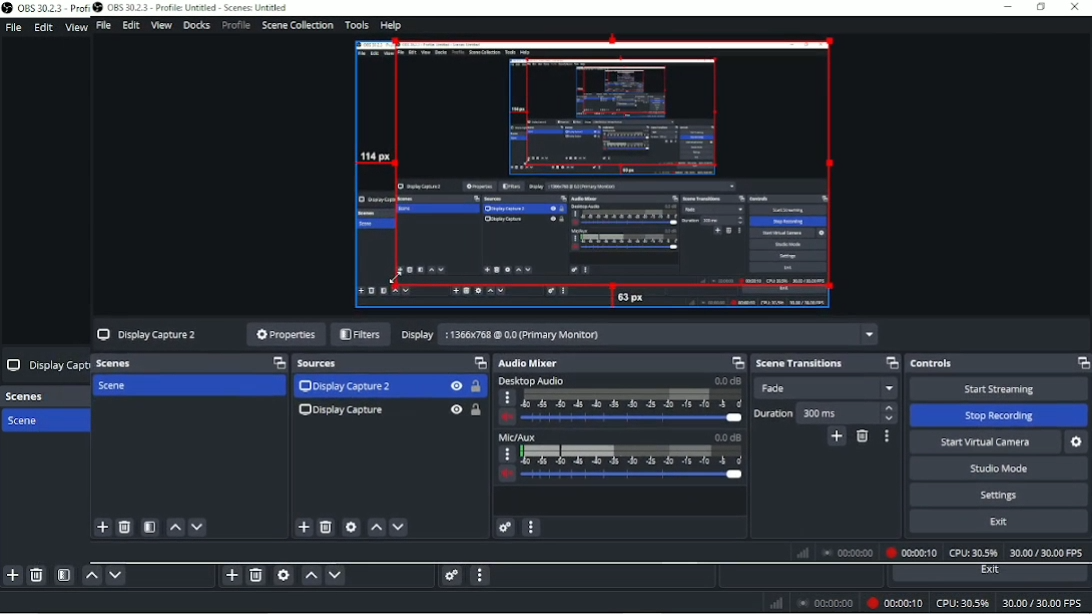 The height and width of the screenshot is (614, 1092). I want to click on minimise, so click(1006, 7).